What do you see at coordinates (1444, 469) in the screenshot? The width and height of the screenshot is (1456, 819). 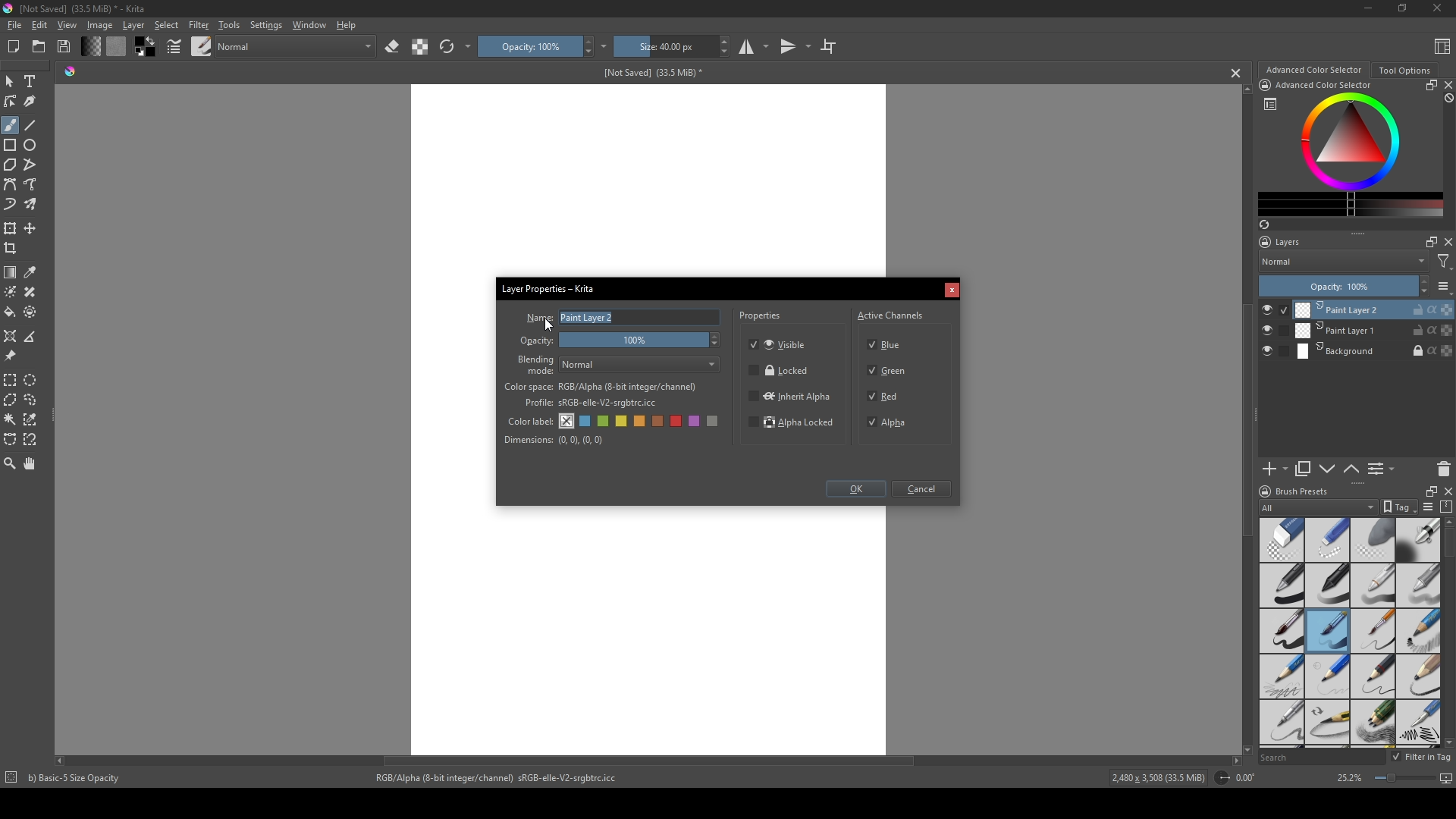 I see `delete` at bounding box center [1444, 469].